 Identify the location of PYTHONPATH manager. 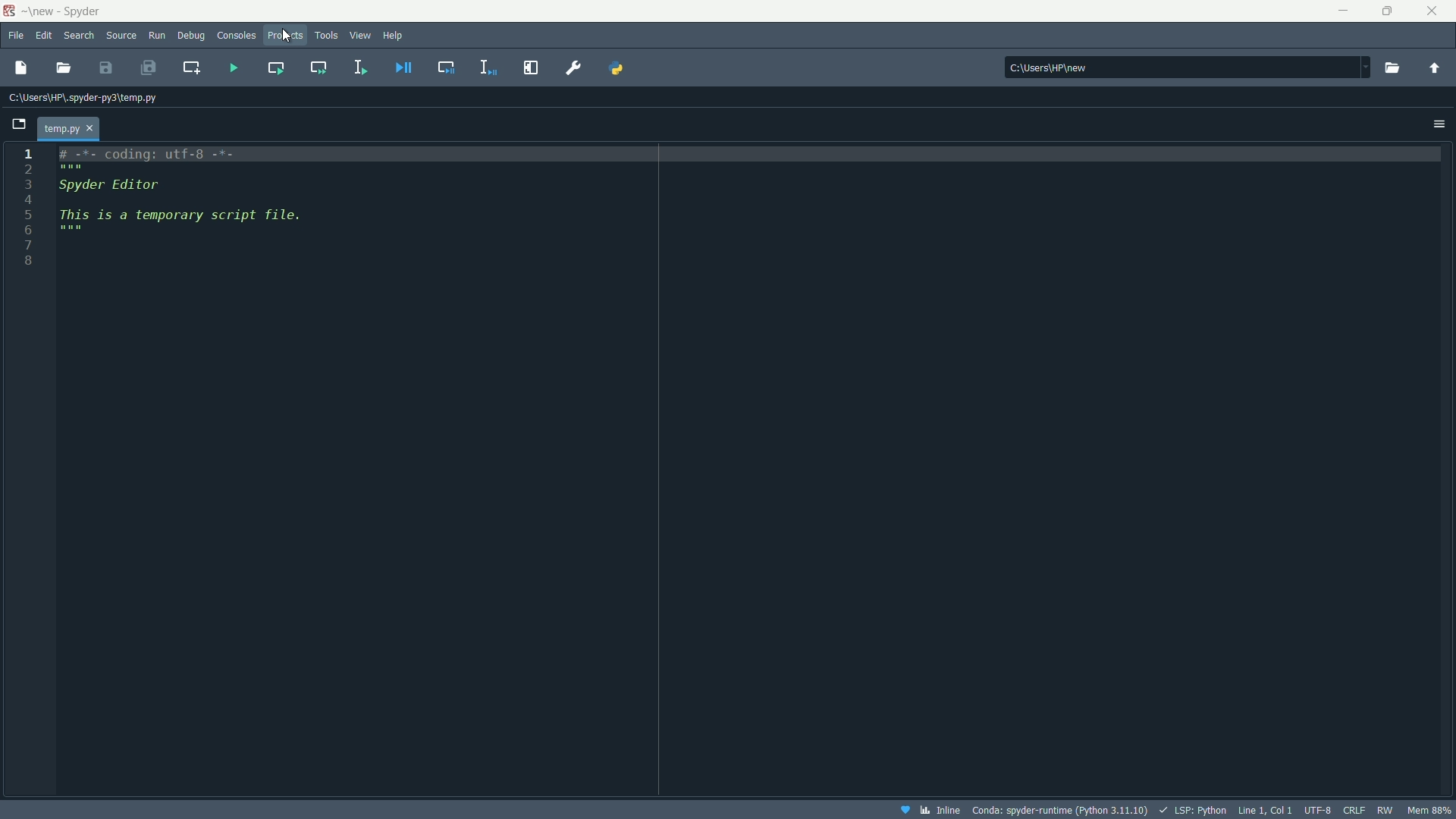
(613, 68).